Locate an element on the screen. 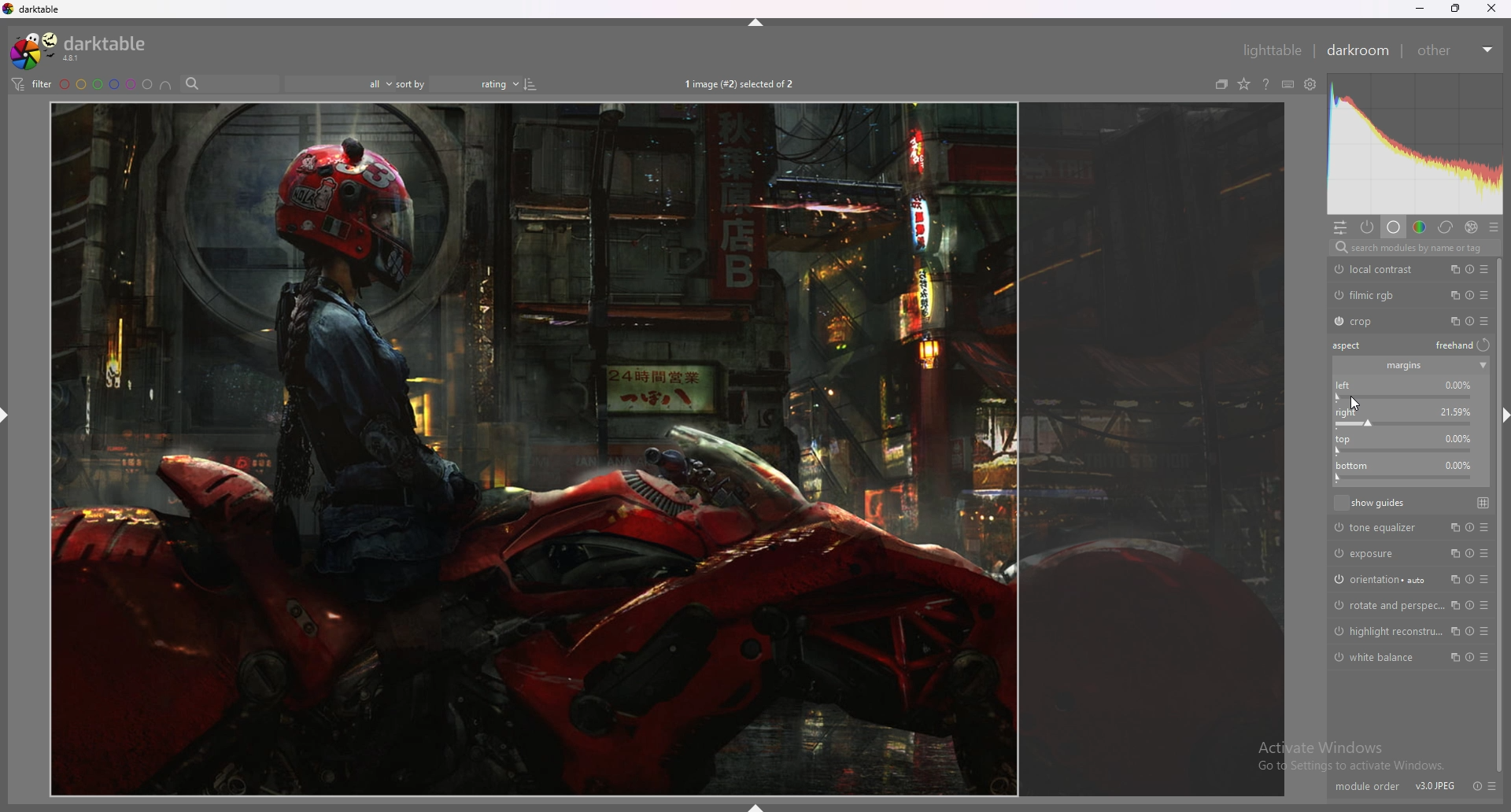 Image resolution: width=1511 pixels, height=812 pixels. hide is located at coordinates (752, 23).